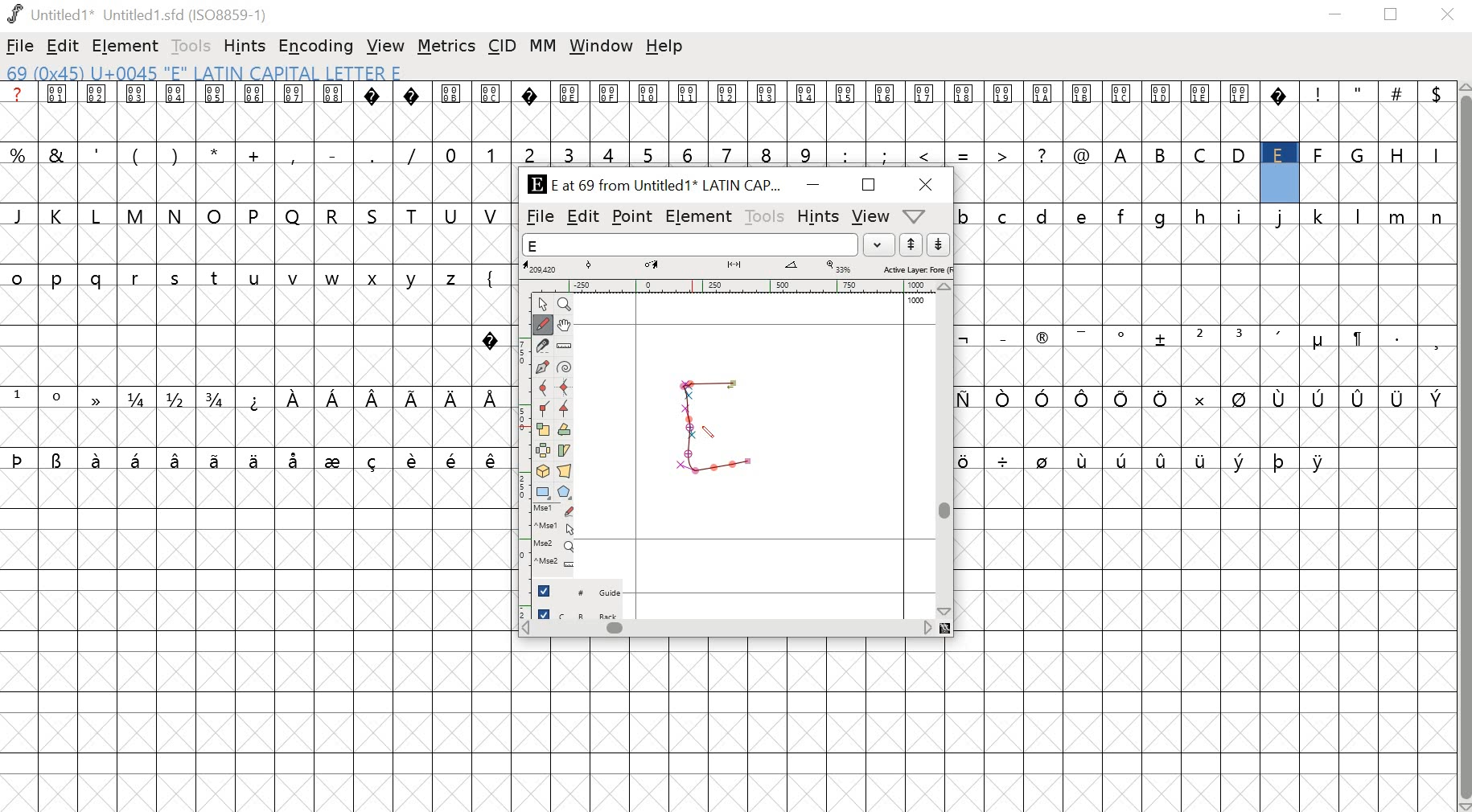 The height and width of the screenshot is (812, 1472). What do you see at coordinates (562, 493) in the screenshot?
I see `Polygon/star` at bounding box center [562, 493].